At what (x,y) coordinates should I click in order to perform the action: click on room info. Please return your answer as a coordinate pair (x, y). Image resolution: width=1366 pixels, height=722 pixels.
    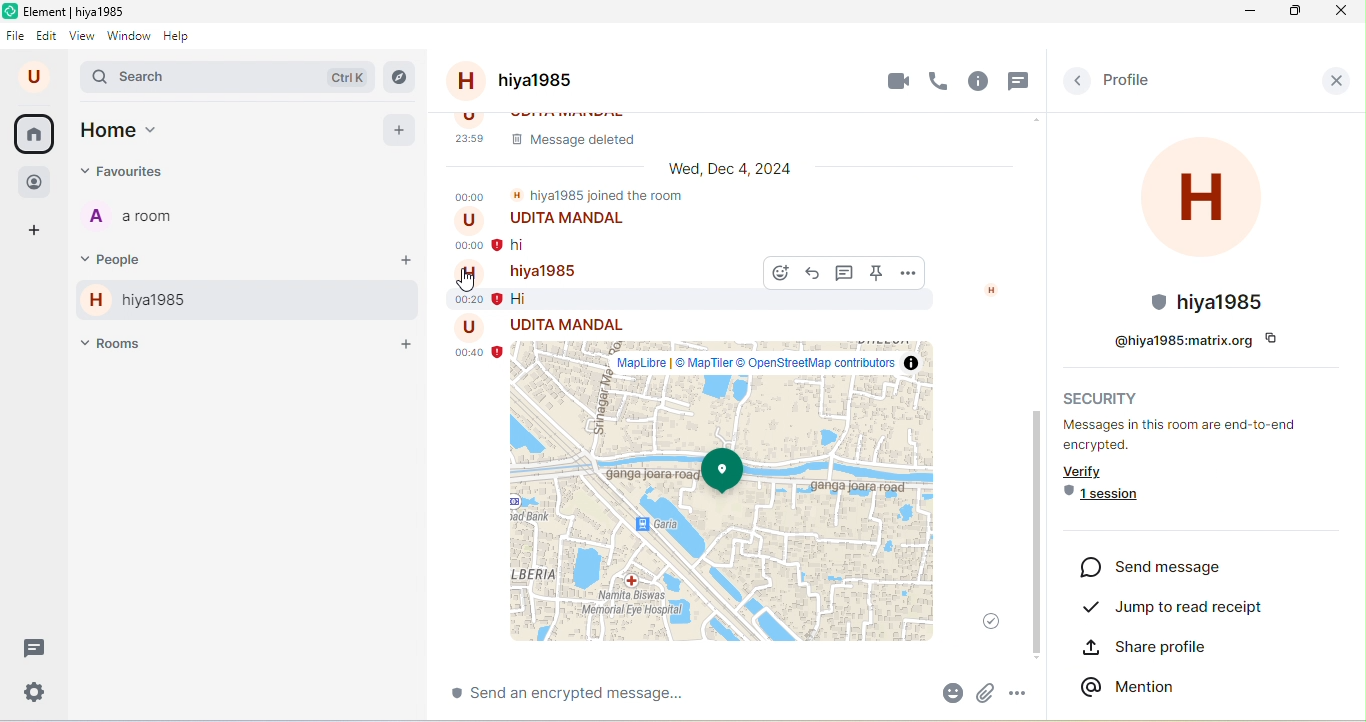
    Looking at the image, I should click on (981, 82).